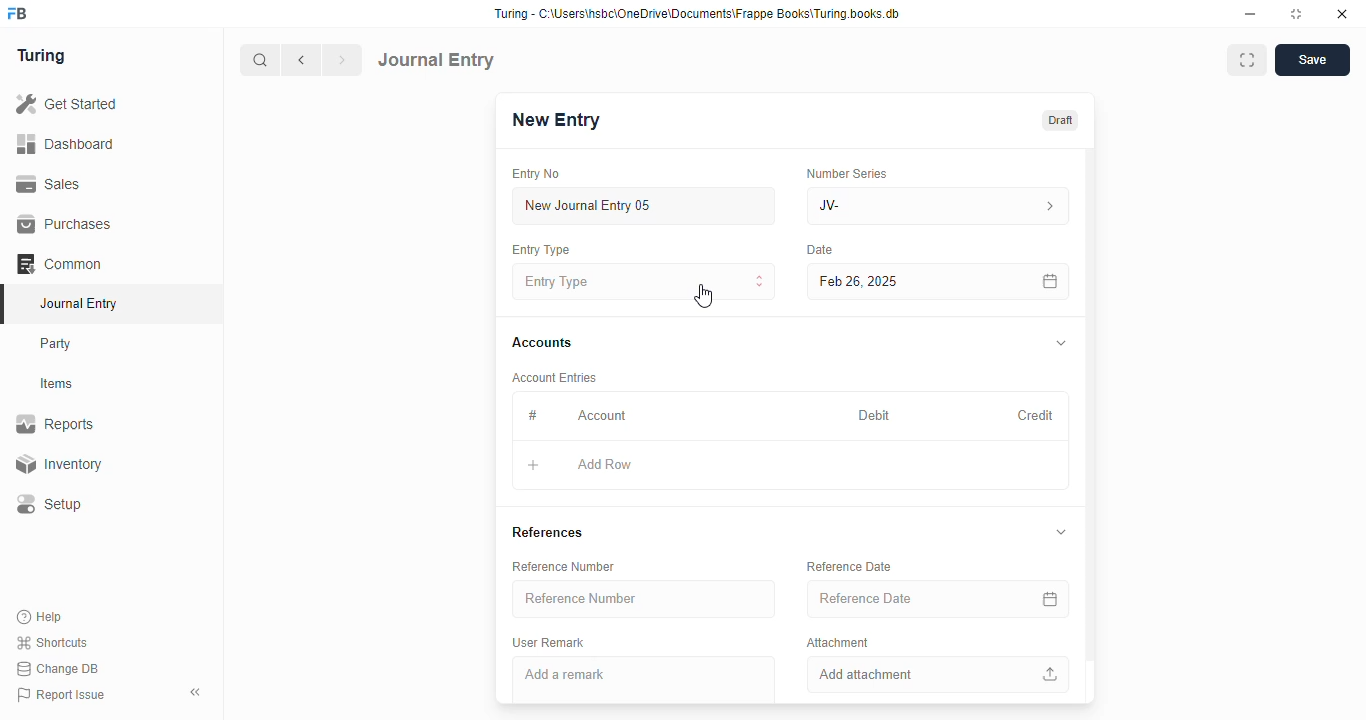  Describe the element at coordinates (1312, 60) in the screenshot. I see `save` at that location.